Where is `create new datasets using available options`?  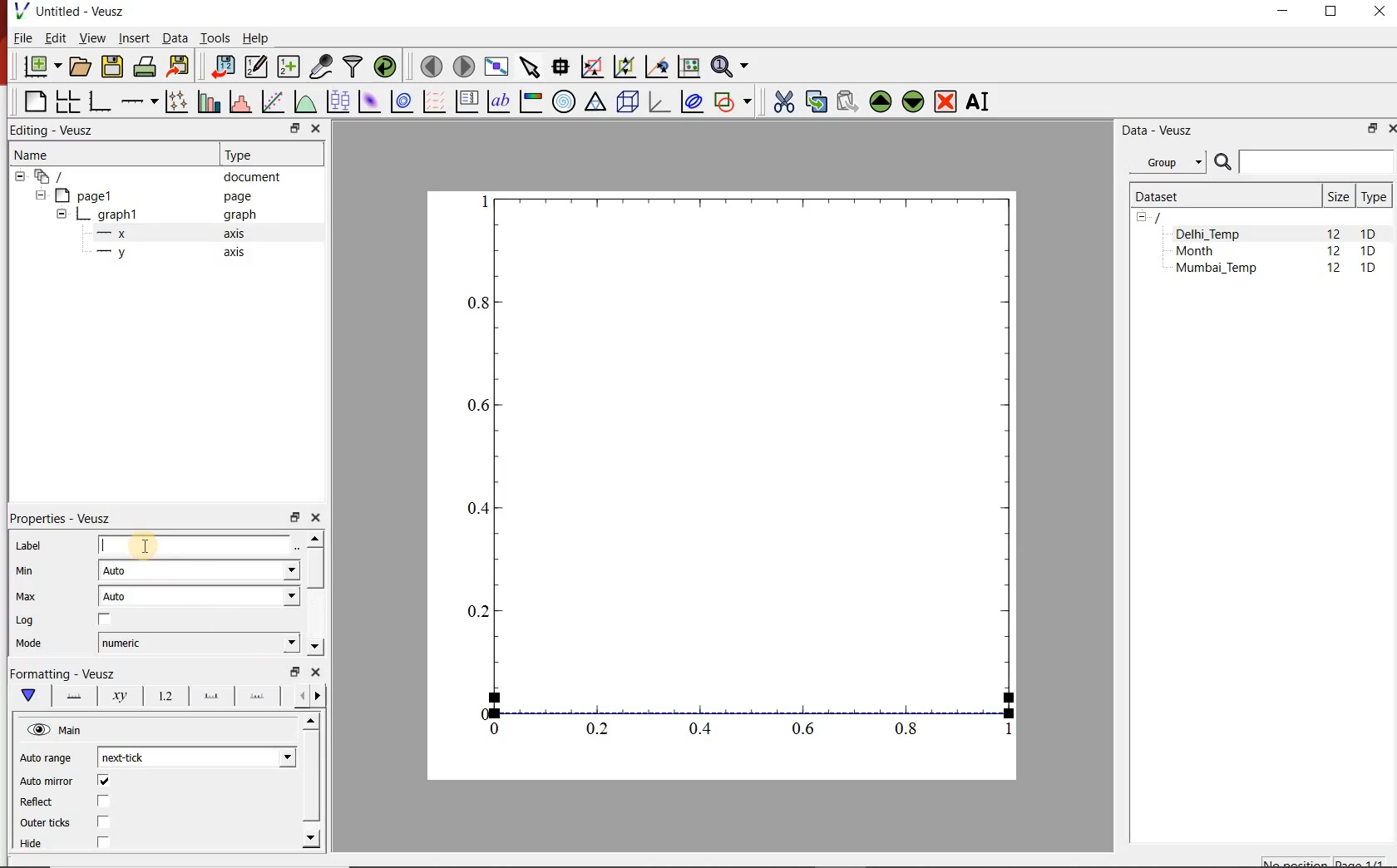
create new datasets using available options is located at coordinates (289, 67).